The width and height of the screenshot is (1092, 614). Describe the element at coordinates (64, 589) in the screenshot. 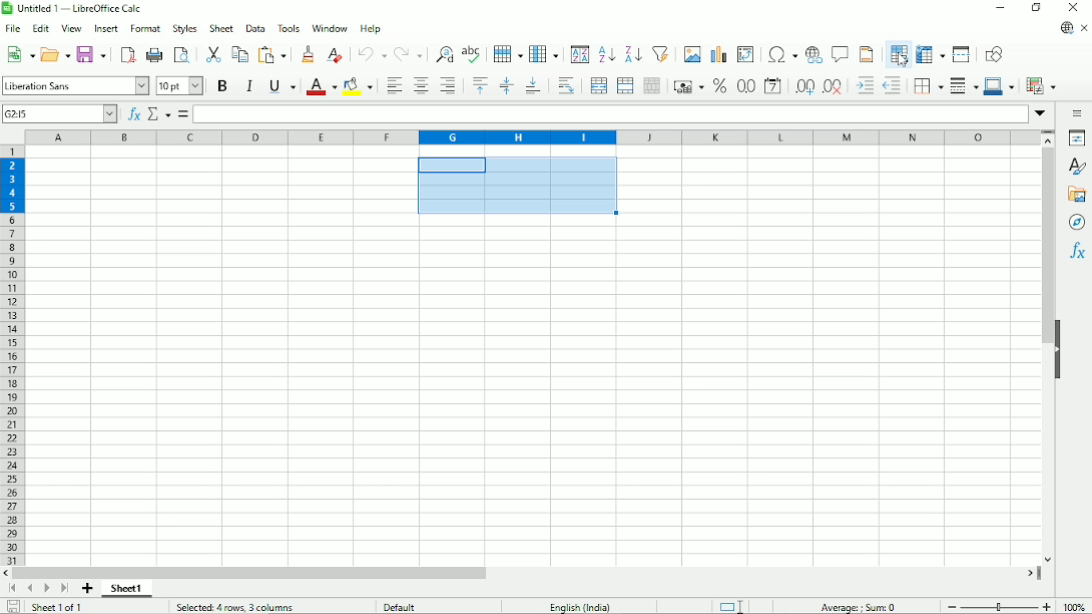

I see `Scroll to last sheet` at that location.